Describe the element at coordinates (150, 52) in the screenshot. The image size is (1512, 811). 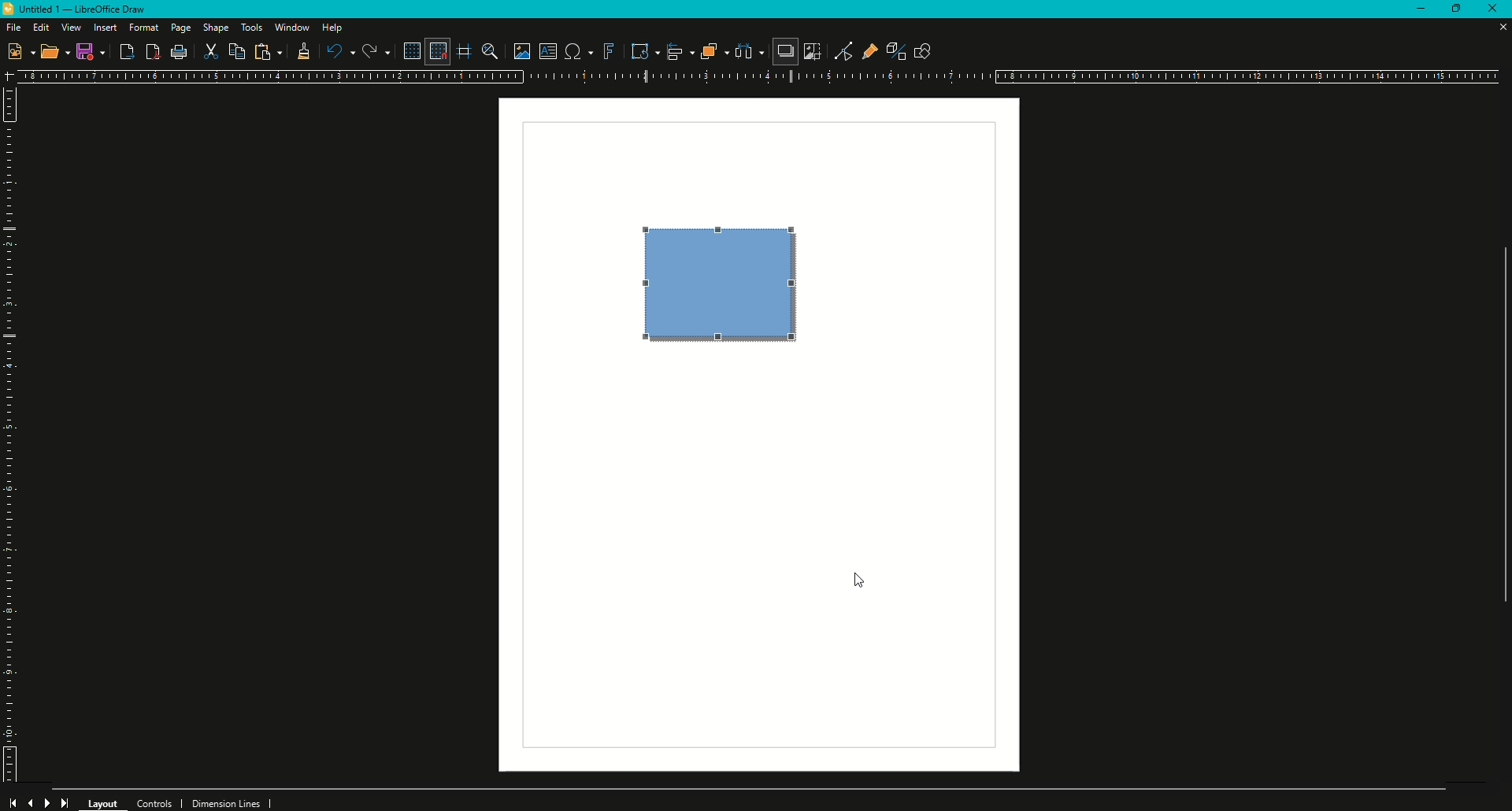
I see `Export to PDF` at that location.